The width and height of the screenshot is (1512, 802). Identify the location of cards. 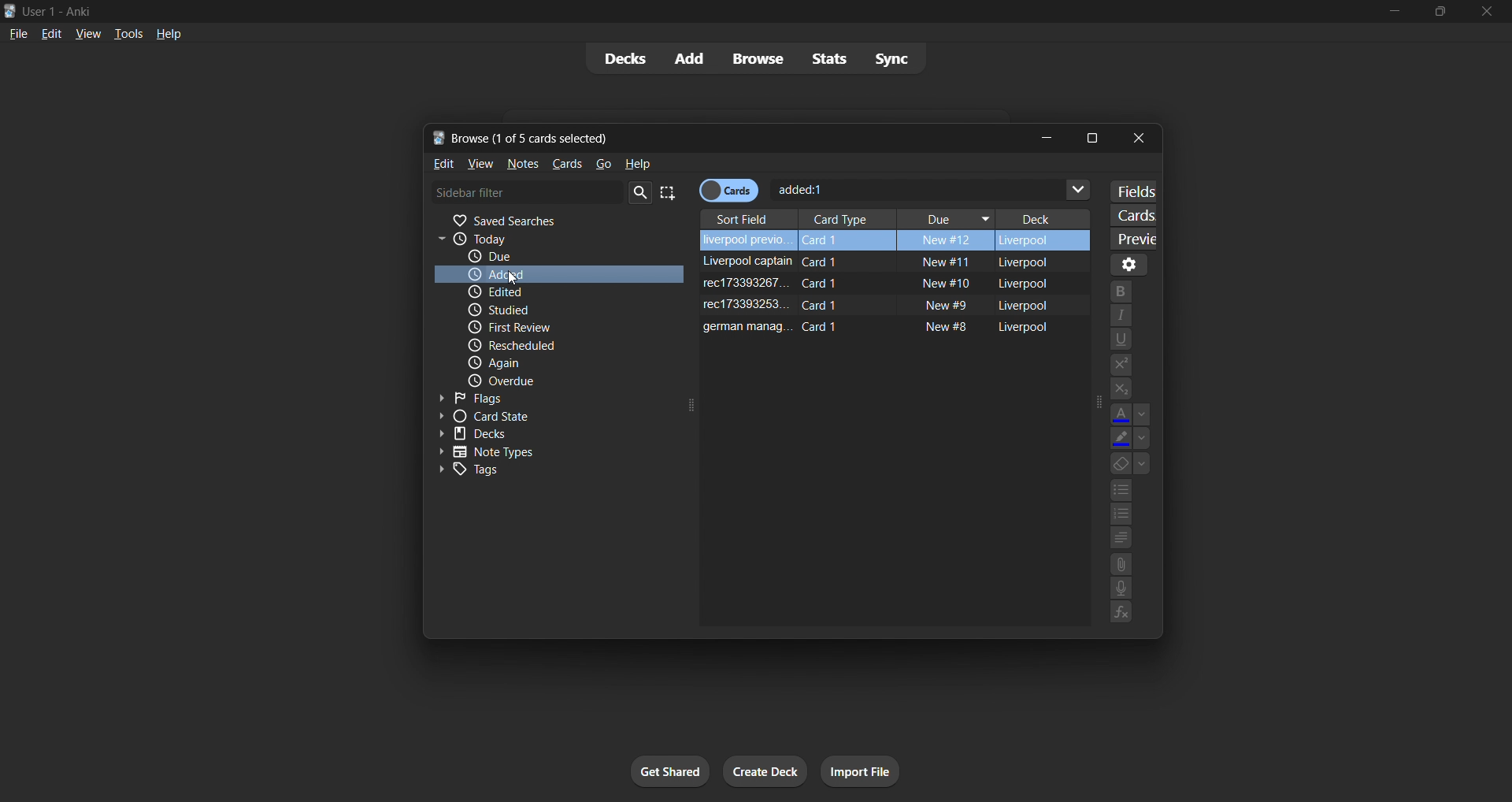
(566, 164).